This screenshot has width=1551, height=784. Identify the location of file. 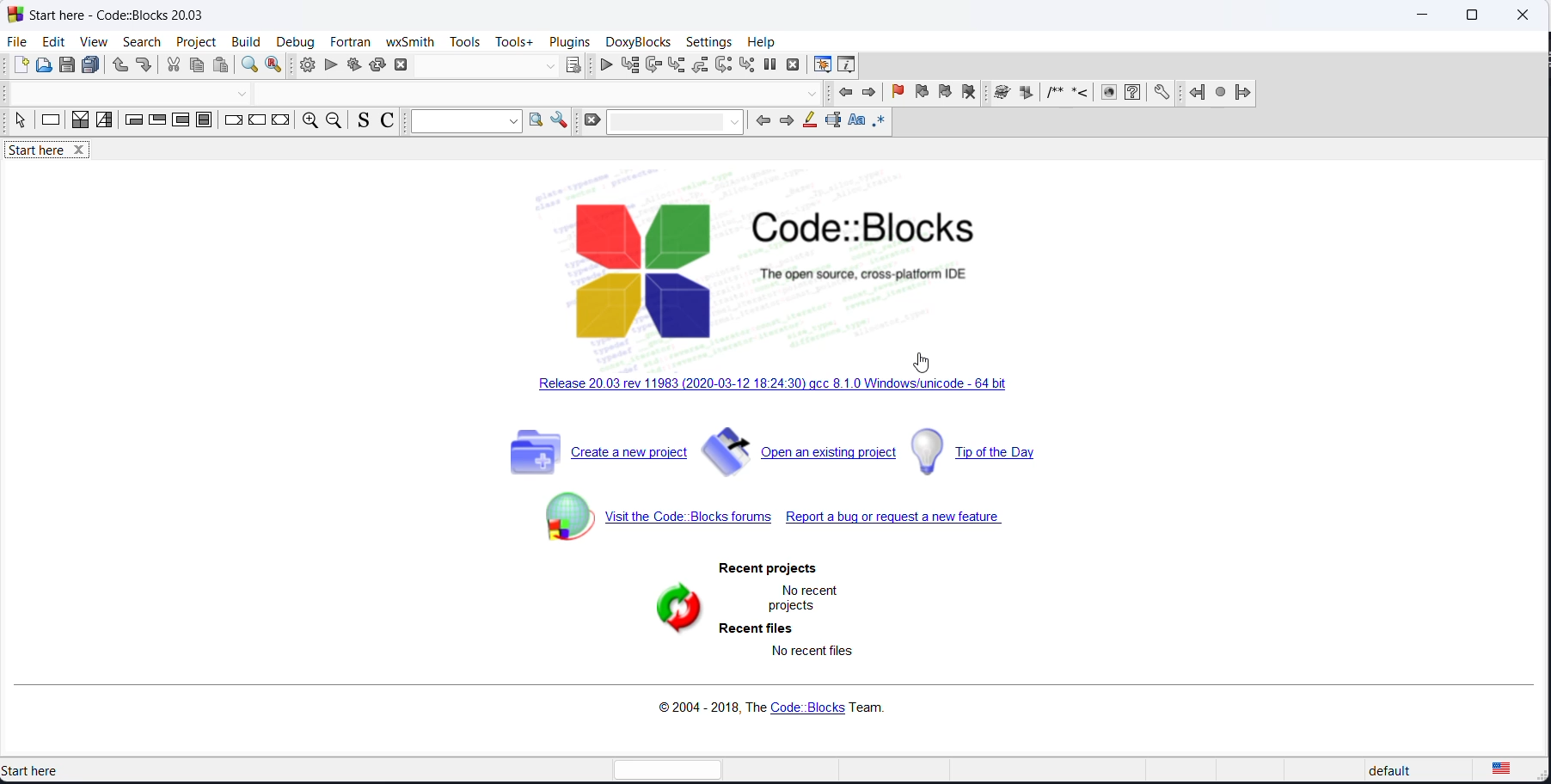
(15, 42).